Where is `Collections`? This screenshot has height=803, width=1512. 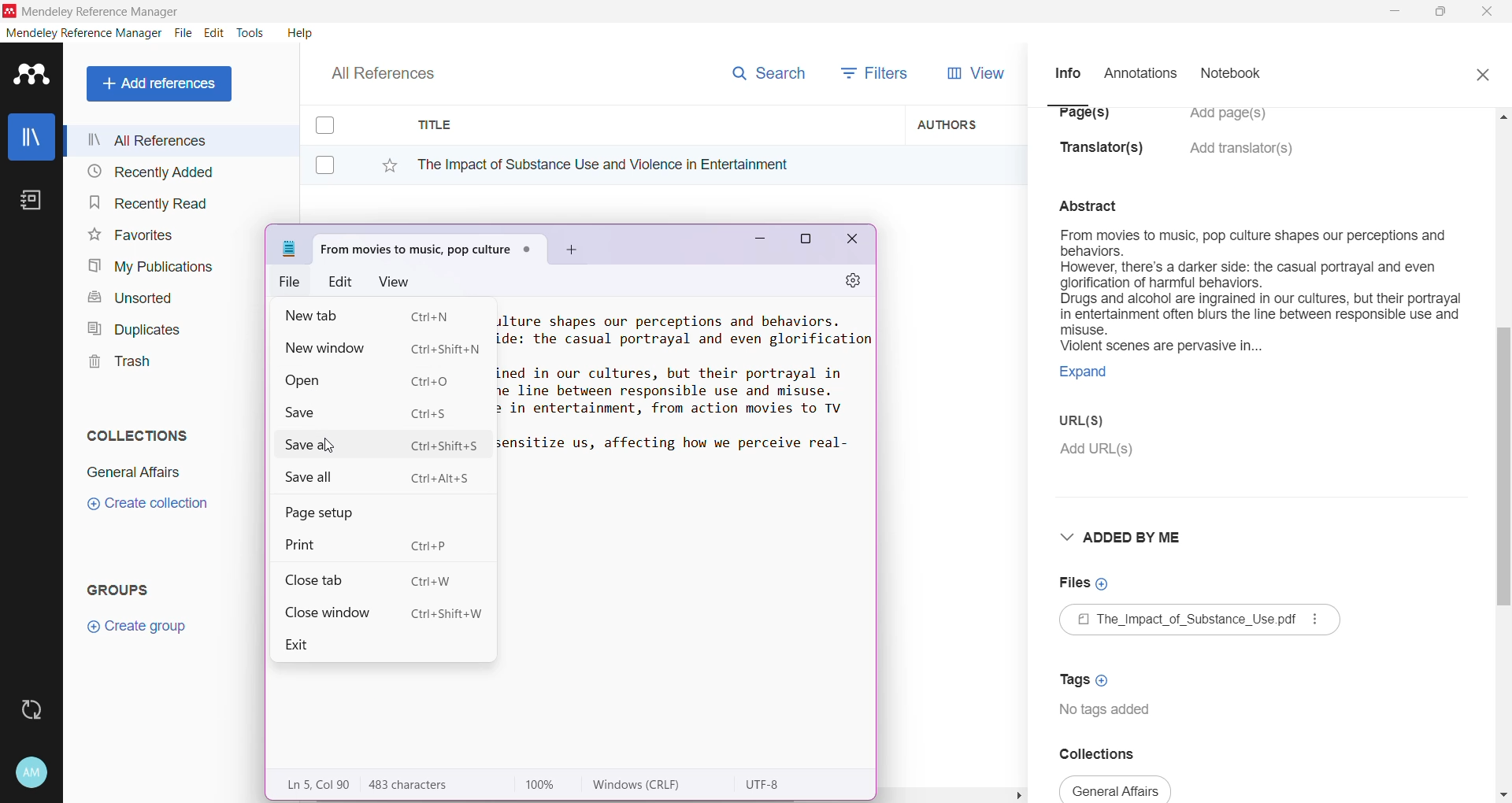
Collections is located at coordinates (133, 432).